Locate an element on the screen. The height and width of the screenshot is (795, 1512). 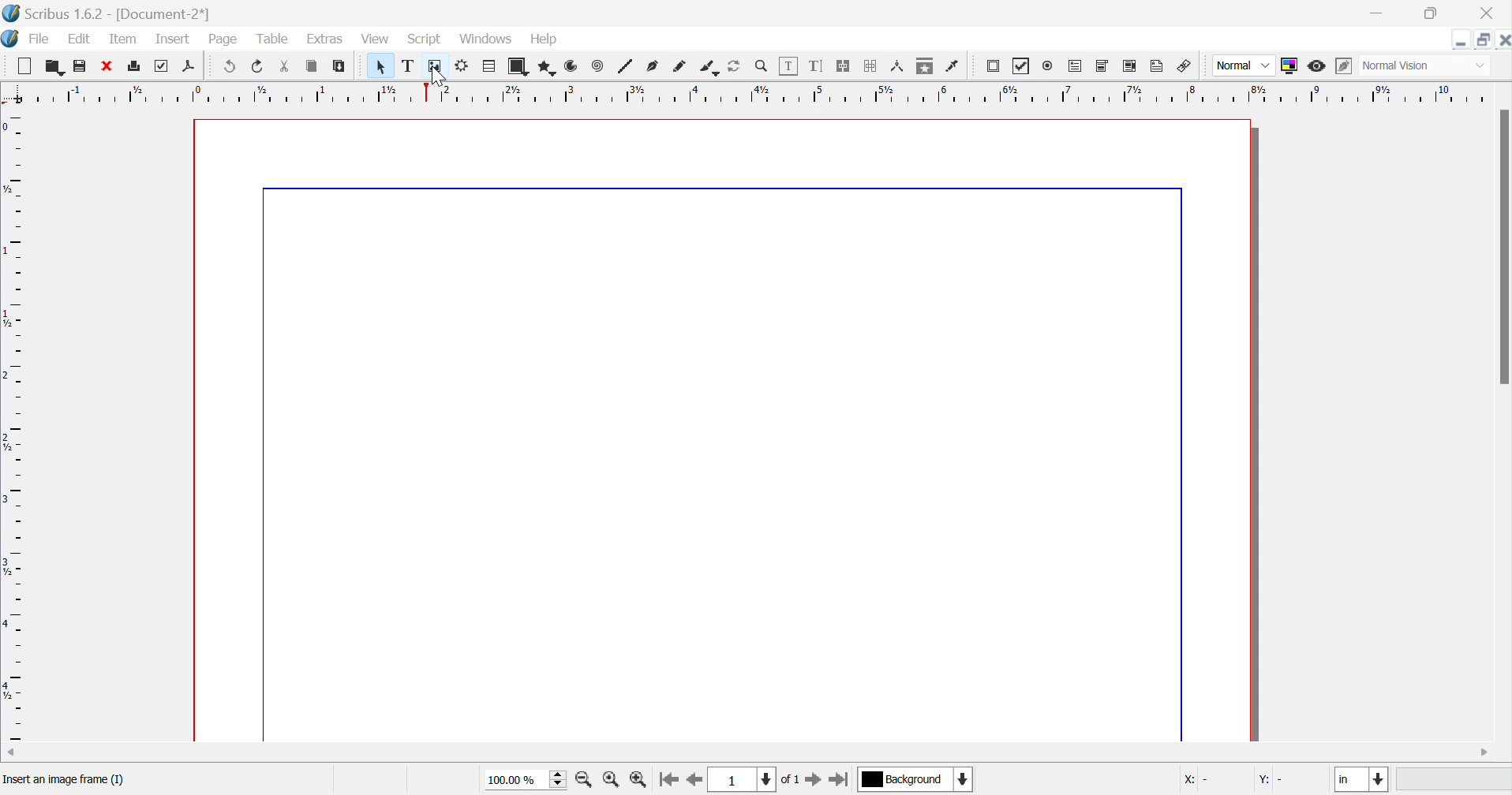
spiral is located at coordinates (597, 65).